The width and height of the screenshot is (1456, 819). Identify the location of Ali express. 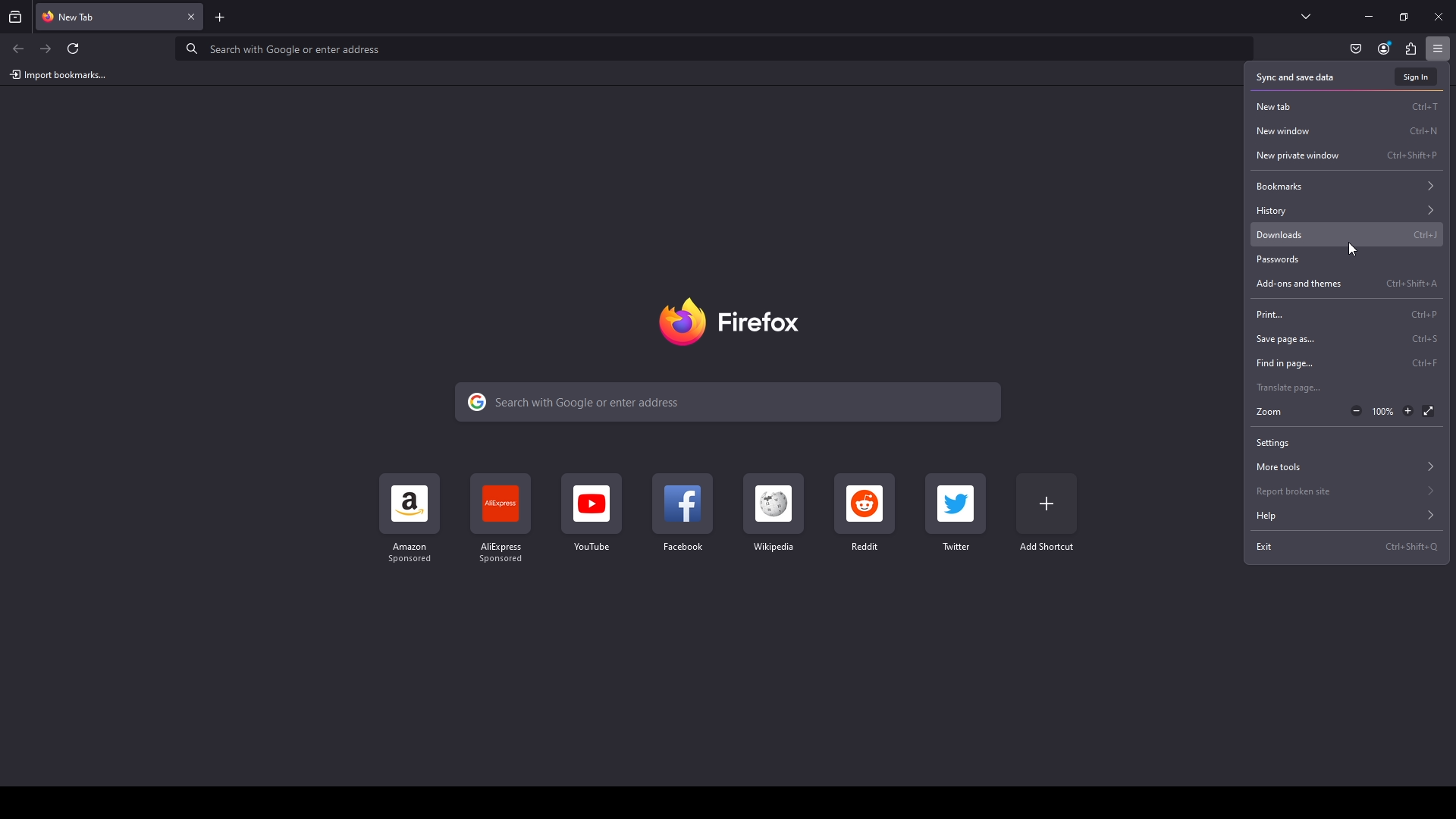
(505, 519).